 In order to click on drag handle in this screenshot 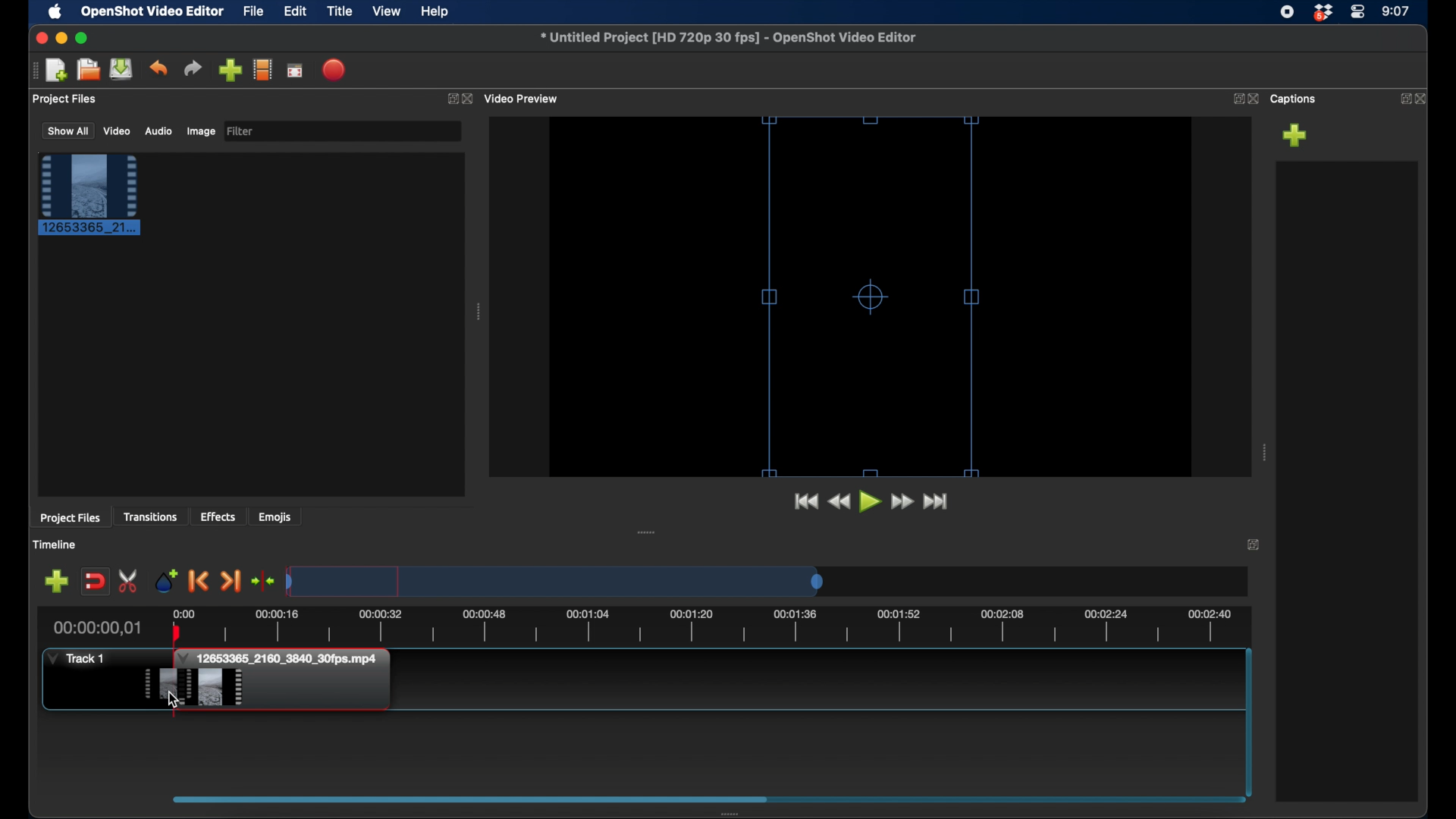, I will do `click(478, 312)`.